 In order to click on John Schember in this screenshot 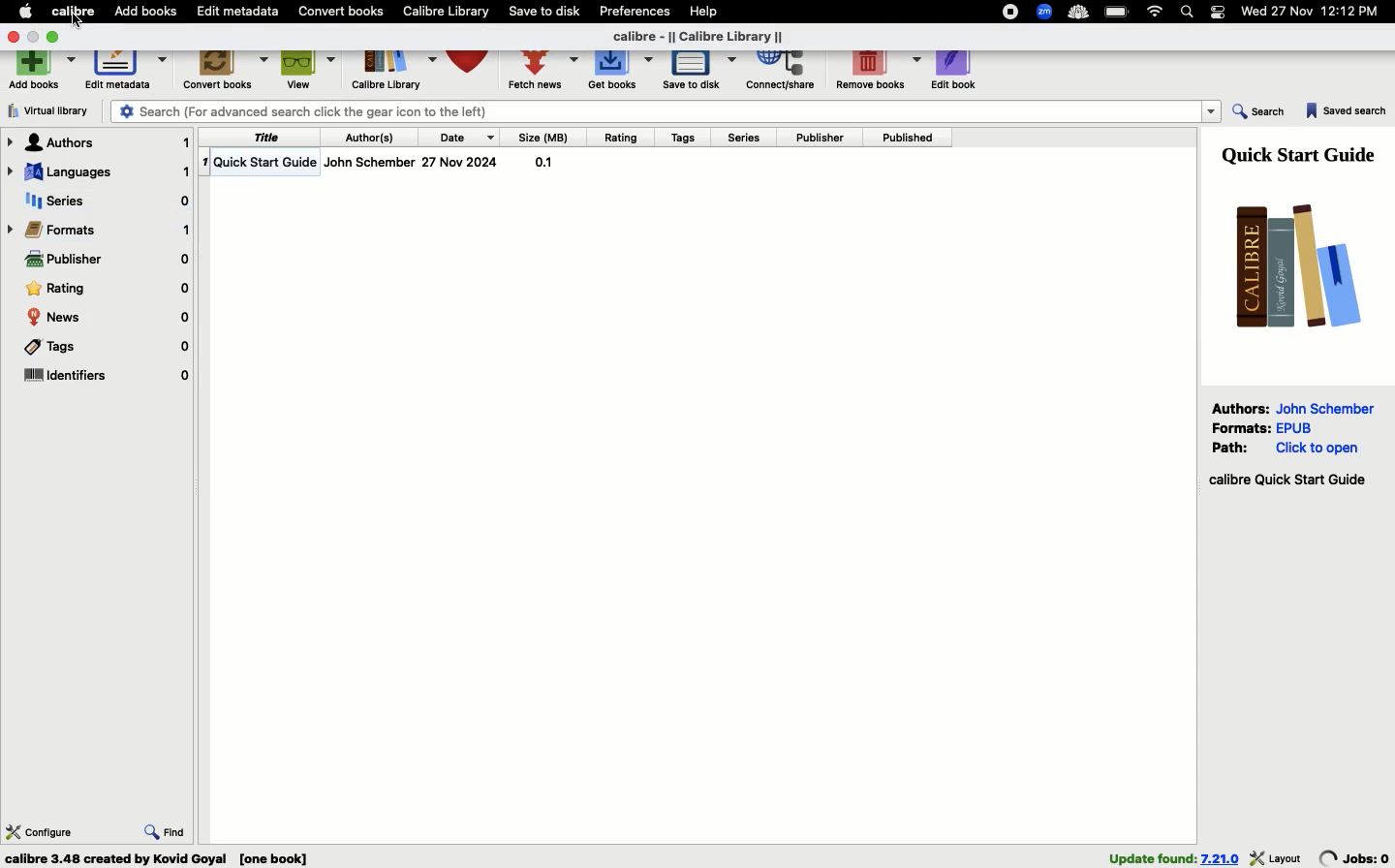, I will do `click(1328, 407)`.